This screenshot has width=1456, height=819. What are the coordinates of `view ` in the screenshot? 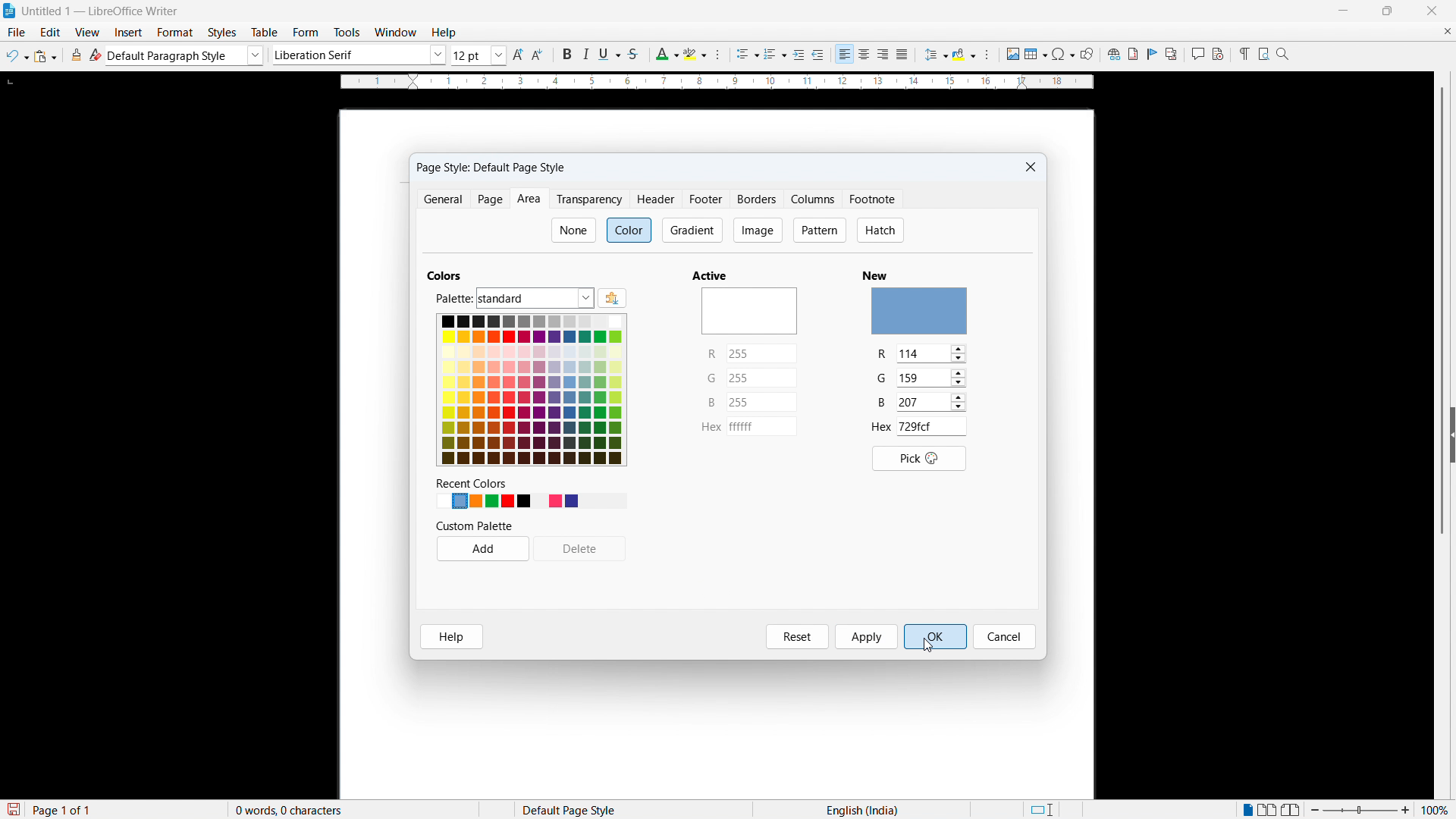 It's located at (88, 33).